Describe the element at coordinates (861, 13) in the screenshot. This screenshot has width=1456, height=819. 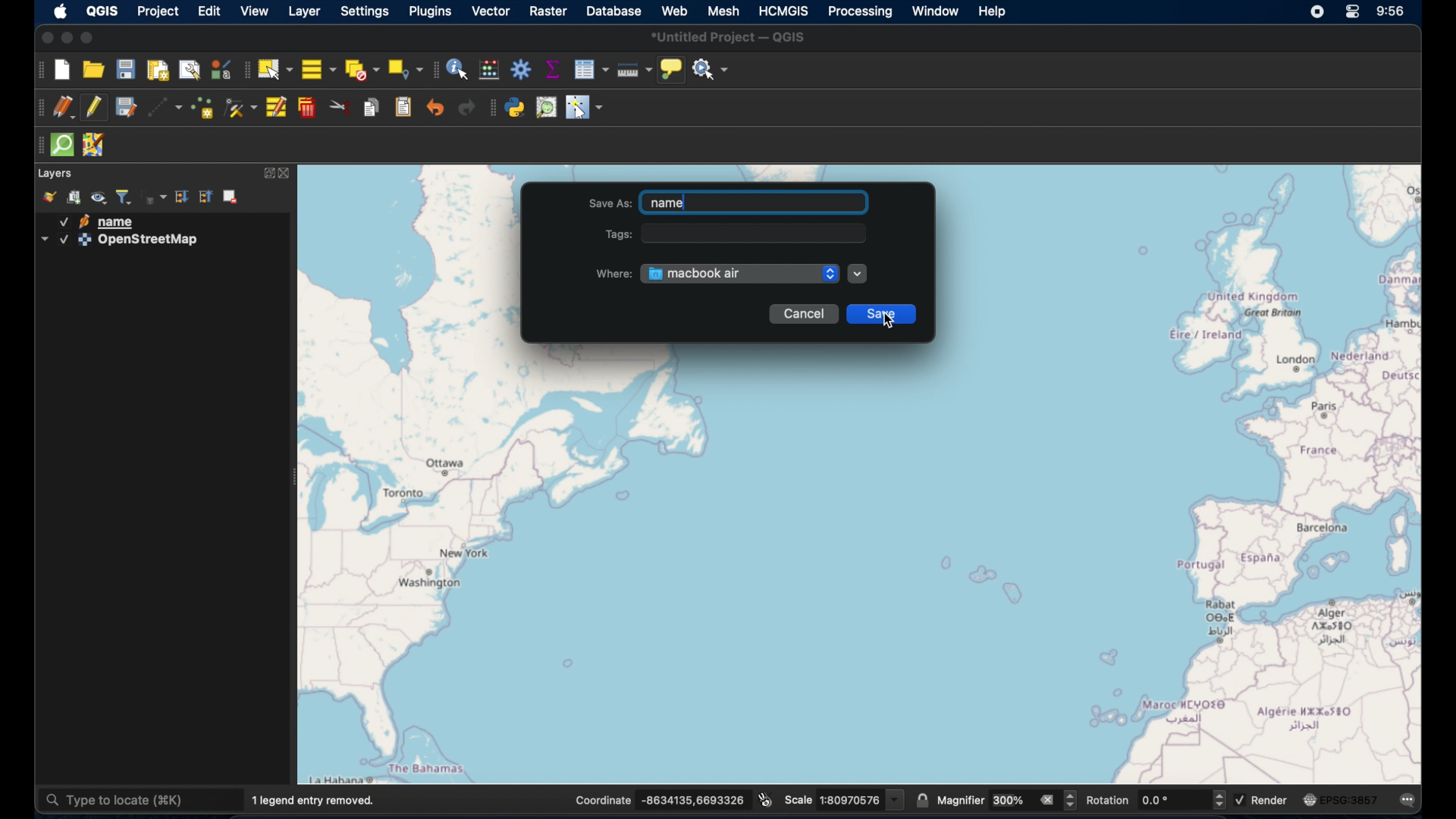
I see `processing` at that location.